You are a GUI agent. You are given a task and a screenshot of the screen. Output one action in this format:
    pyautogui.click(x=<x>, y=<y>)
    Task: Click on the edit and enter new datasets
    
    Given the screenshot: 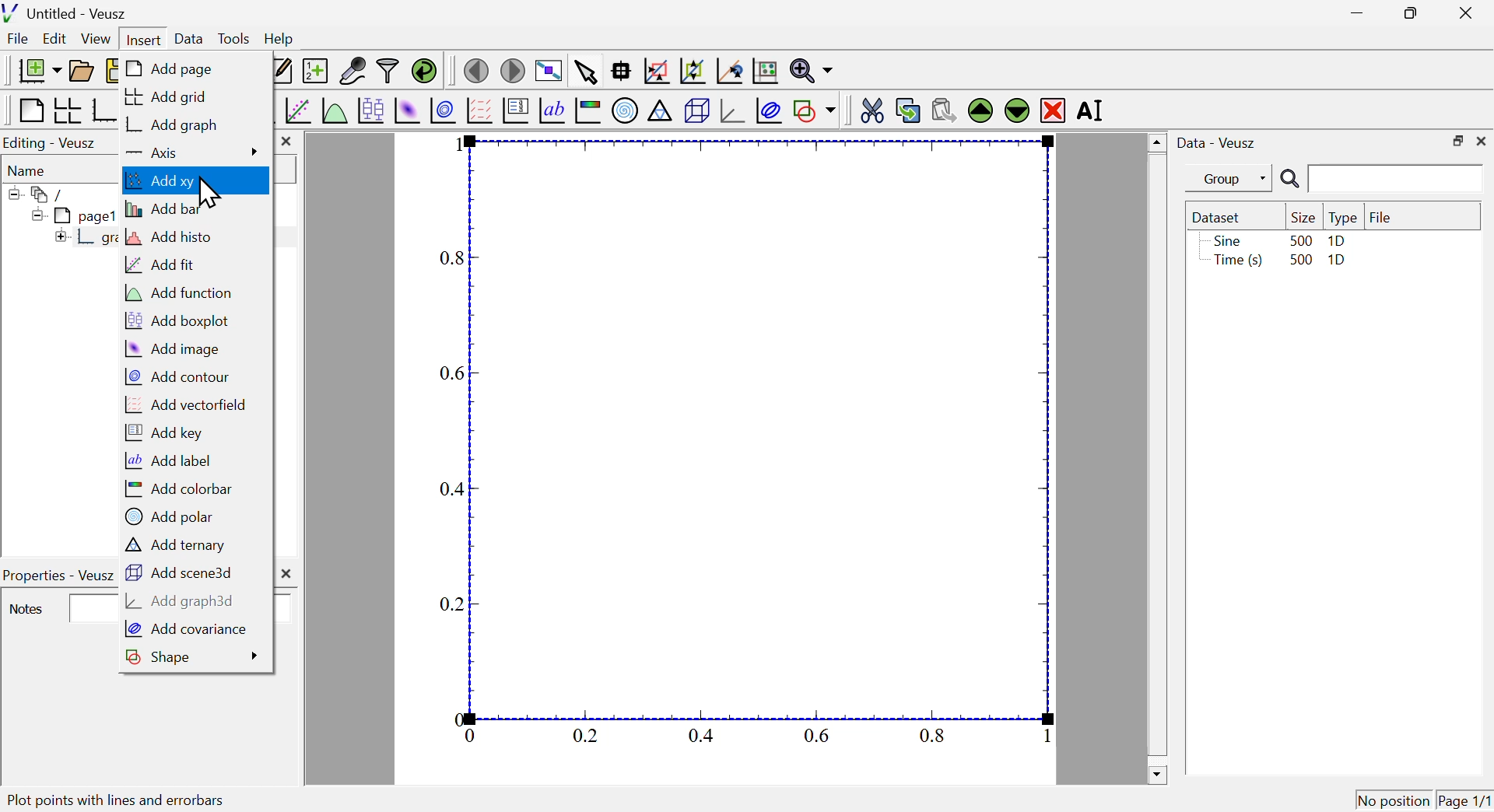 What is the action you would take?
    pyautogui.click(x=282, y=71)
    